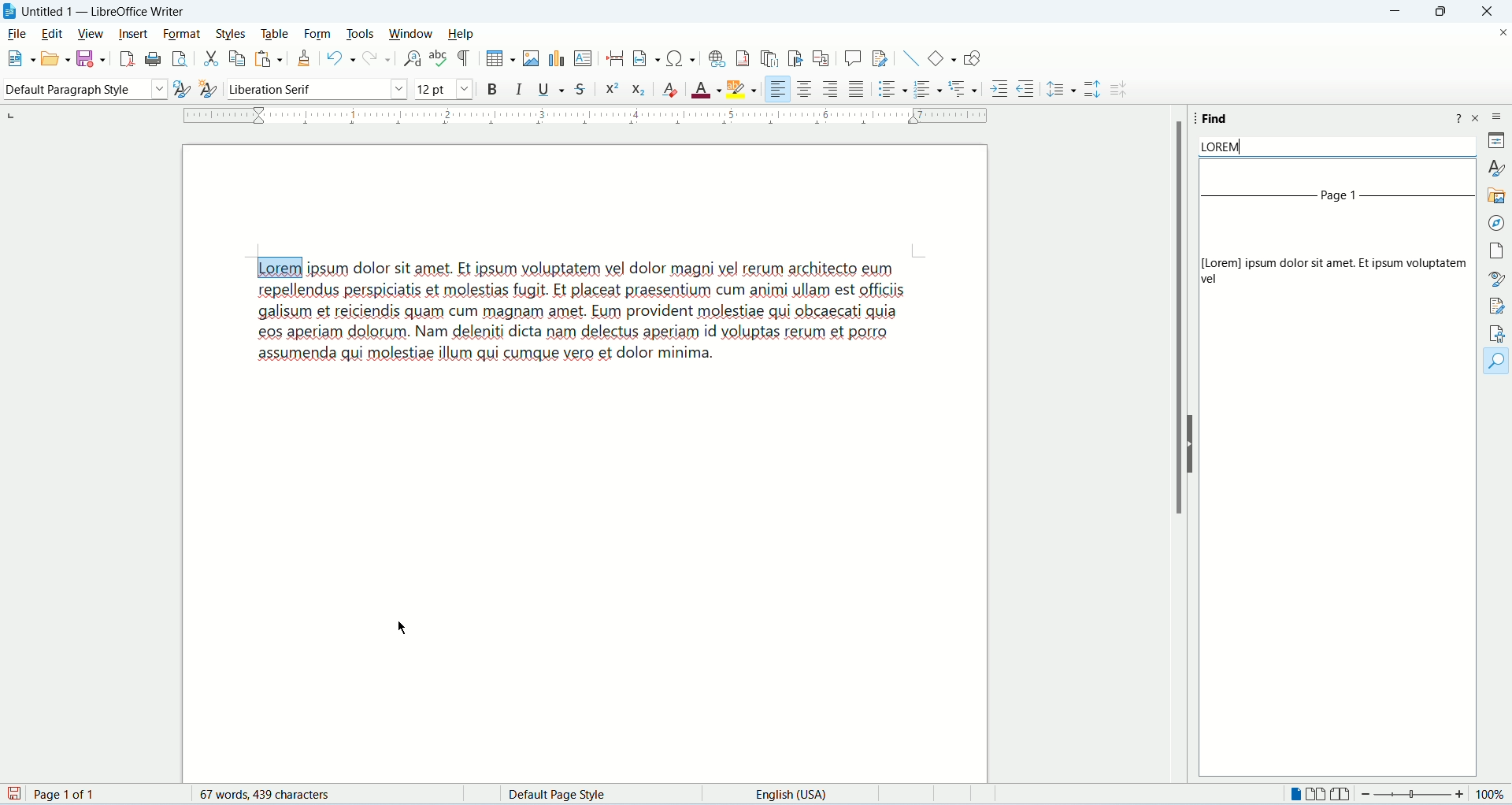 This screenshot has height=805, width=1512. Describe the element at coordinates (1123, 93) in the screenshot. I see `icon` at that location.